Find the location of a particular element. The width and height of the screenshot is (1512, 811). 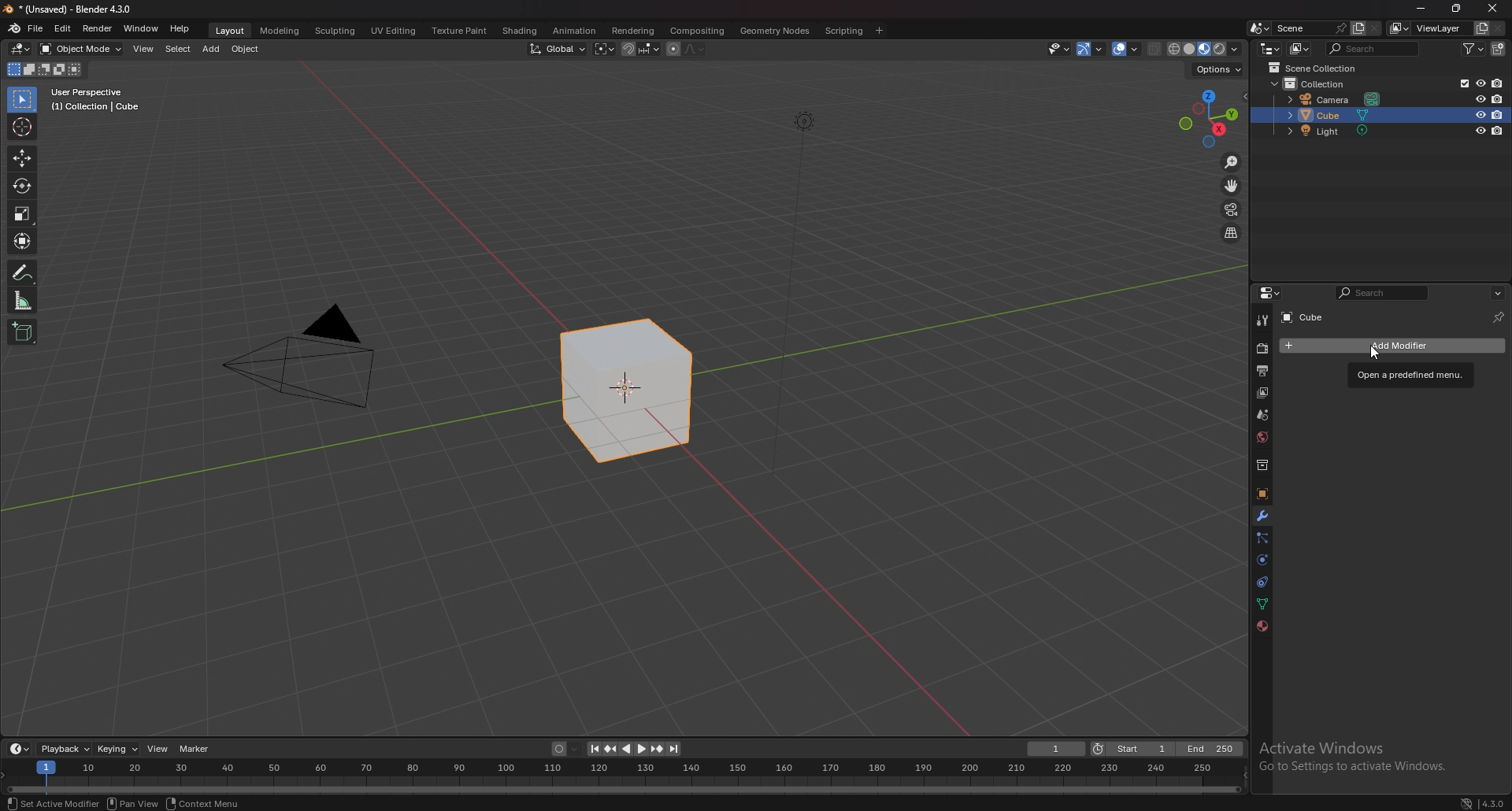

editor type is located at coordinates (1272, 294).